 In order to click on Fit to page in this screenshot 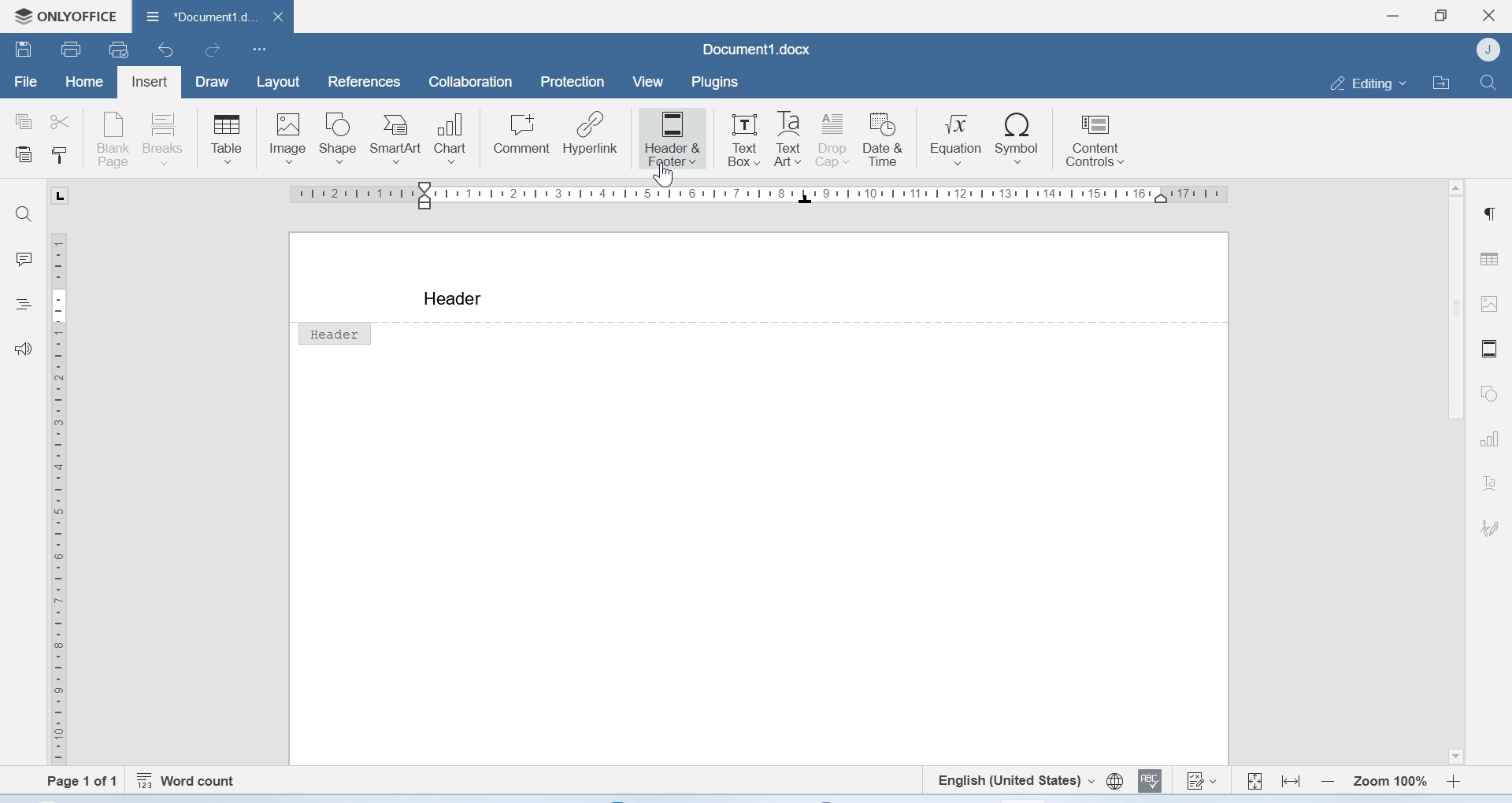, I will do `click(1254, 779)`.